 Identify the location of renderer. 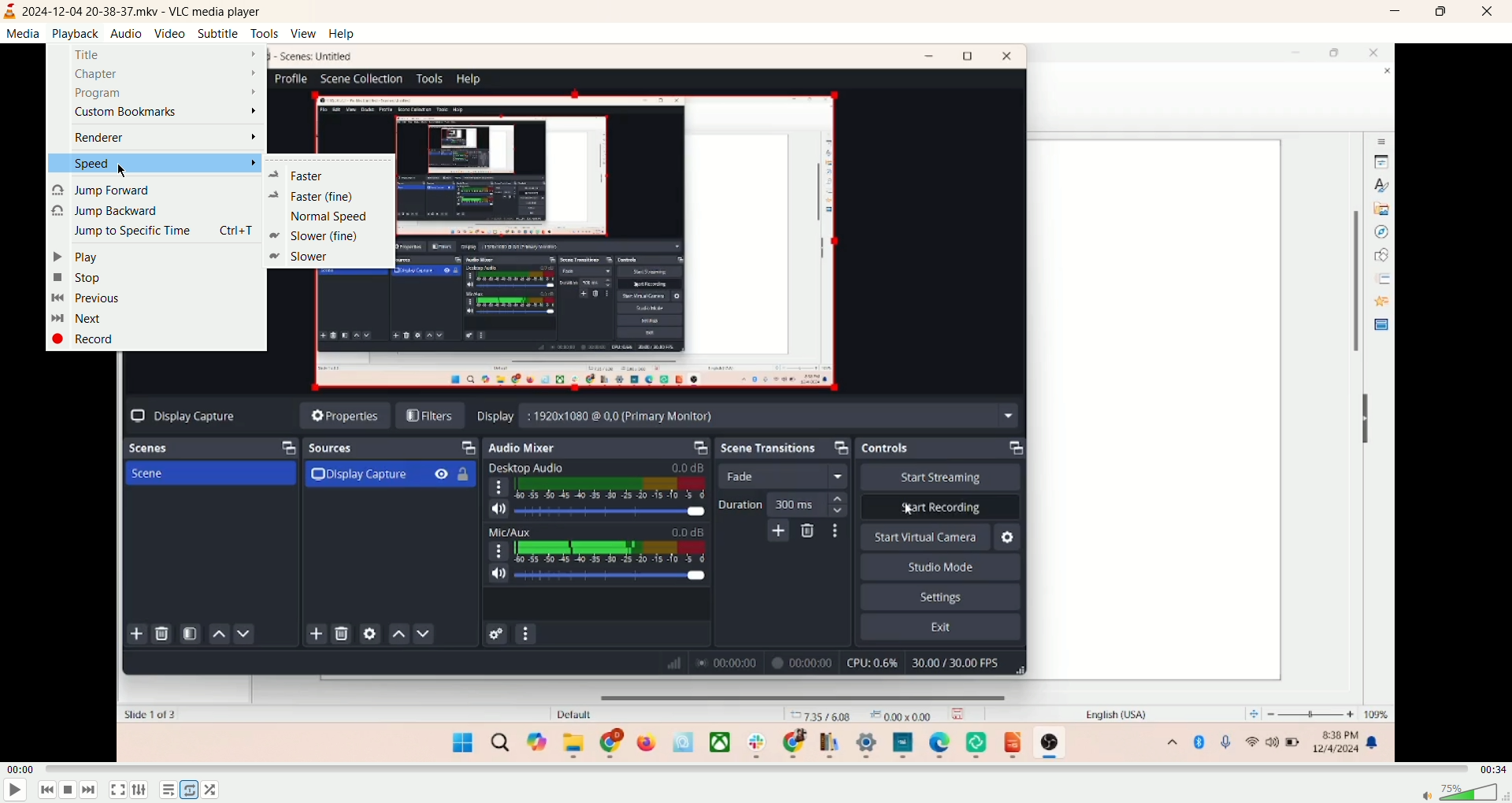
(167, 139).